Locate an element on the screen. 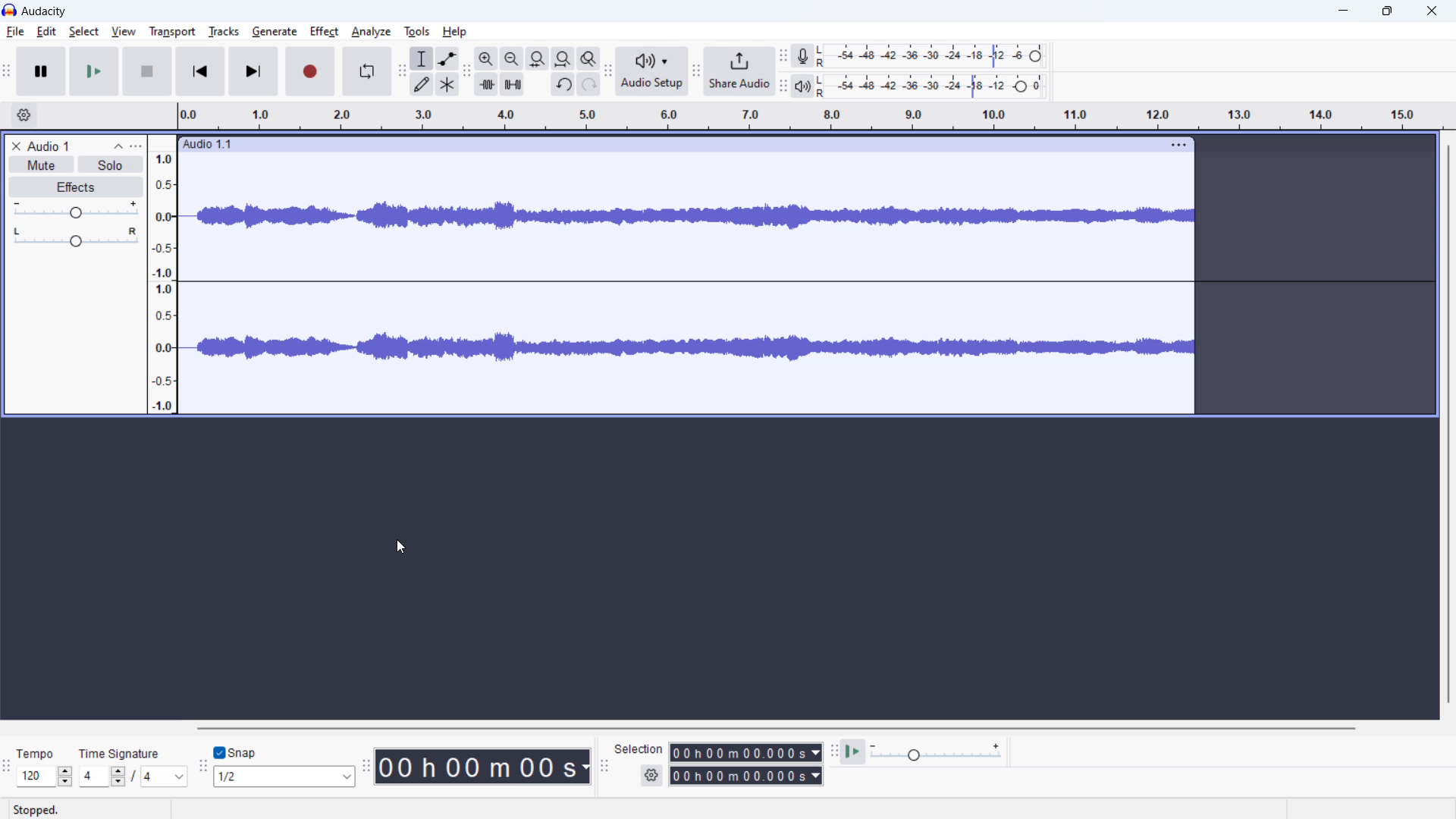  mute is located at coordinates (42, 165).